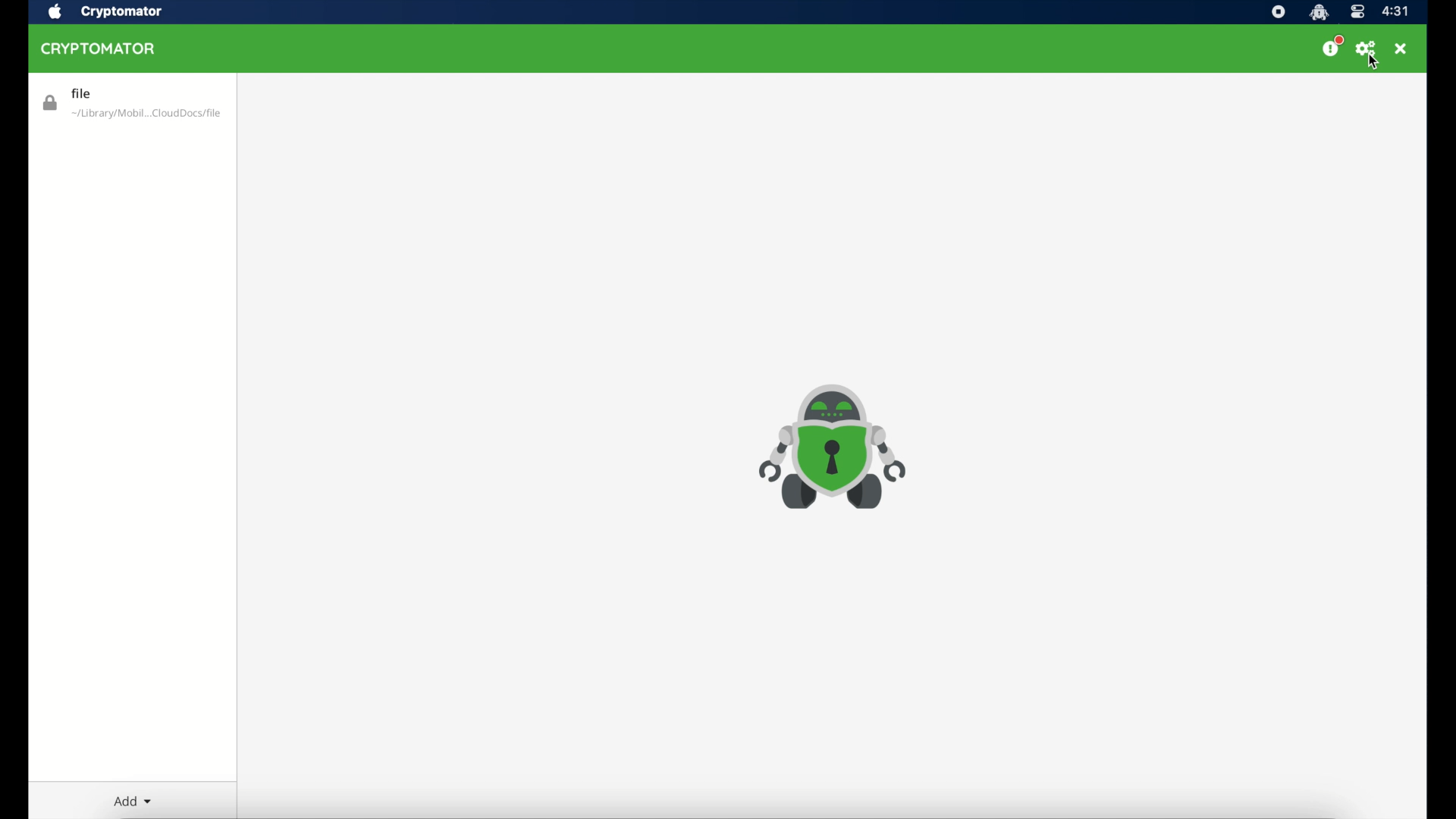 Image resolution: width=1456 pixels, height=819 pixels. Describe the element at coordinates (1330, 47) in the screenshot. I see `donate ` at that location.